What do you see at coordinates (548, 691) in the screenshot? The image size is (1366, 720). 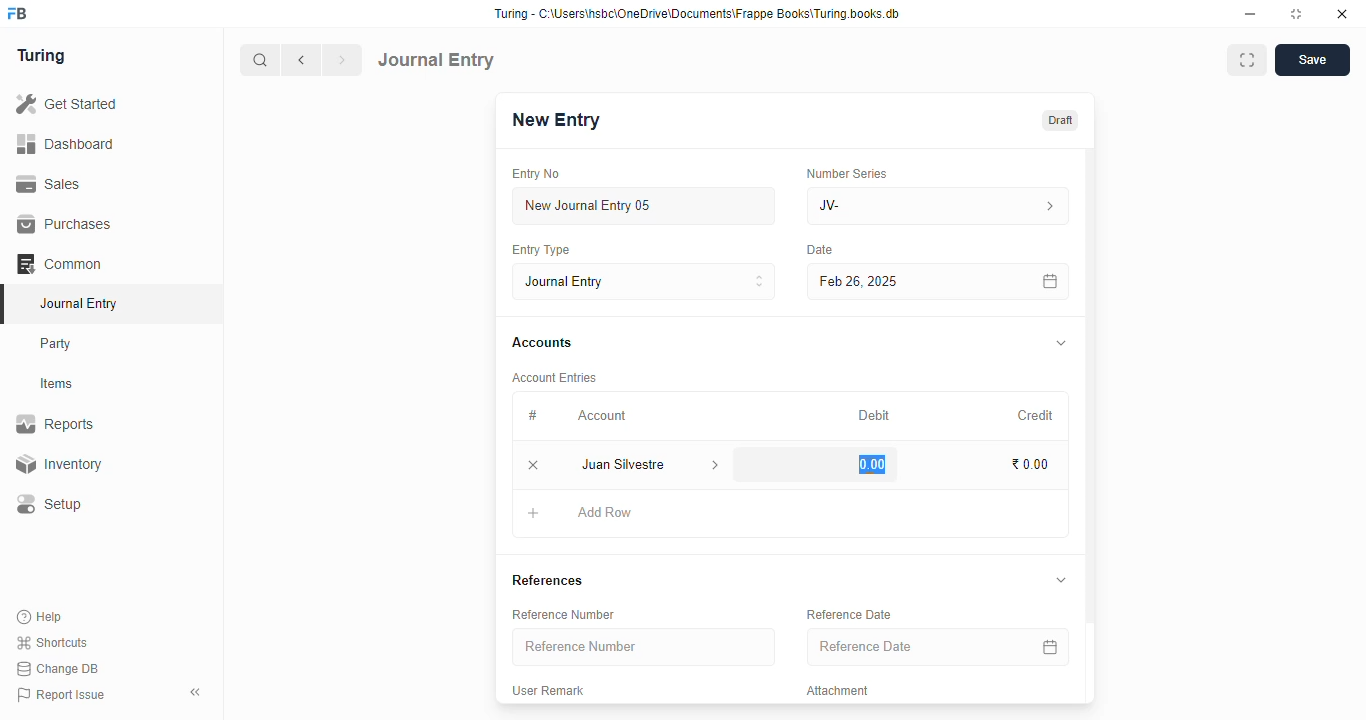 I see `user remark` at bounding box center [548, 691].